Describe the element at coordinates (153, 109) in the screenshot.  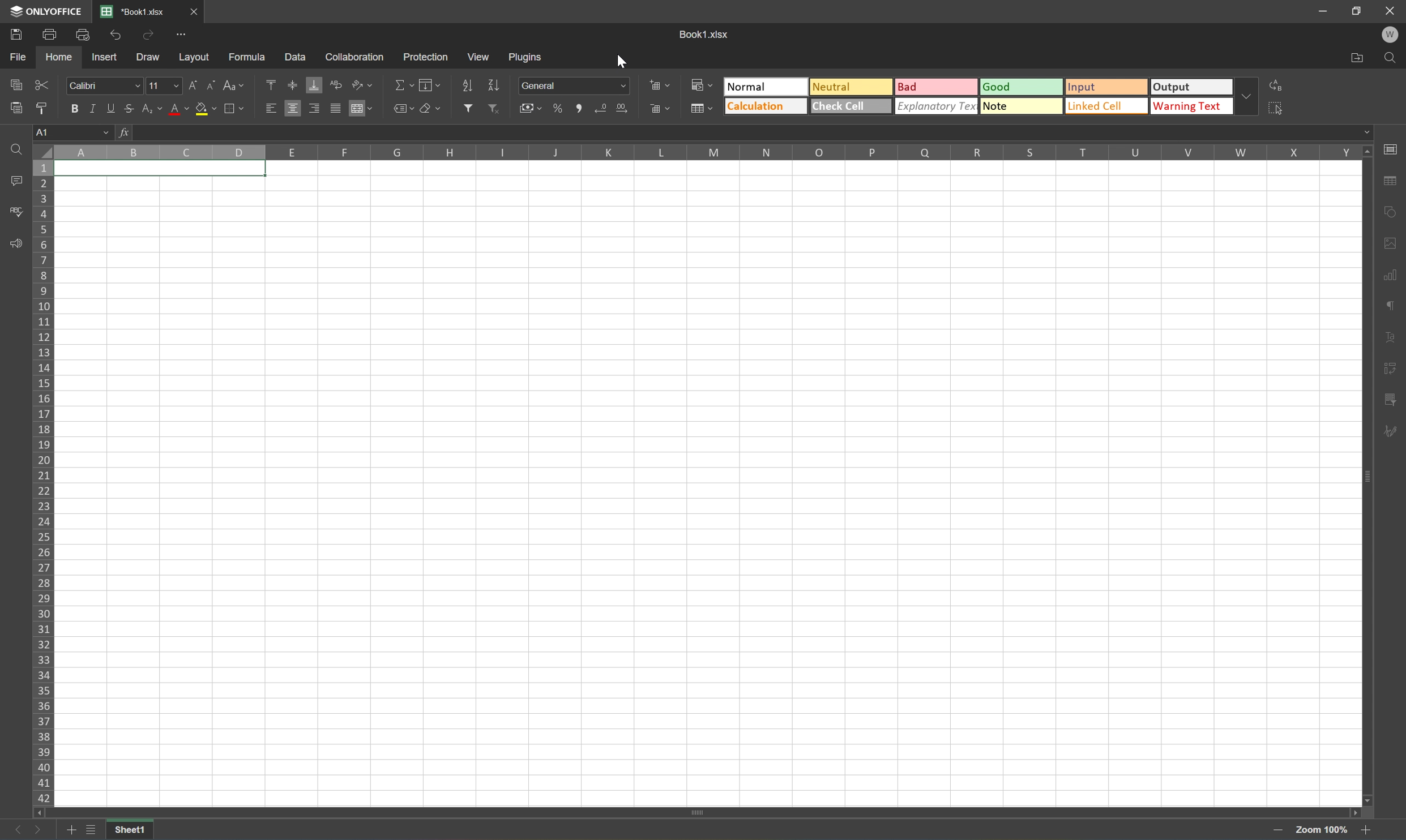
I see `Subscript` at that location.